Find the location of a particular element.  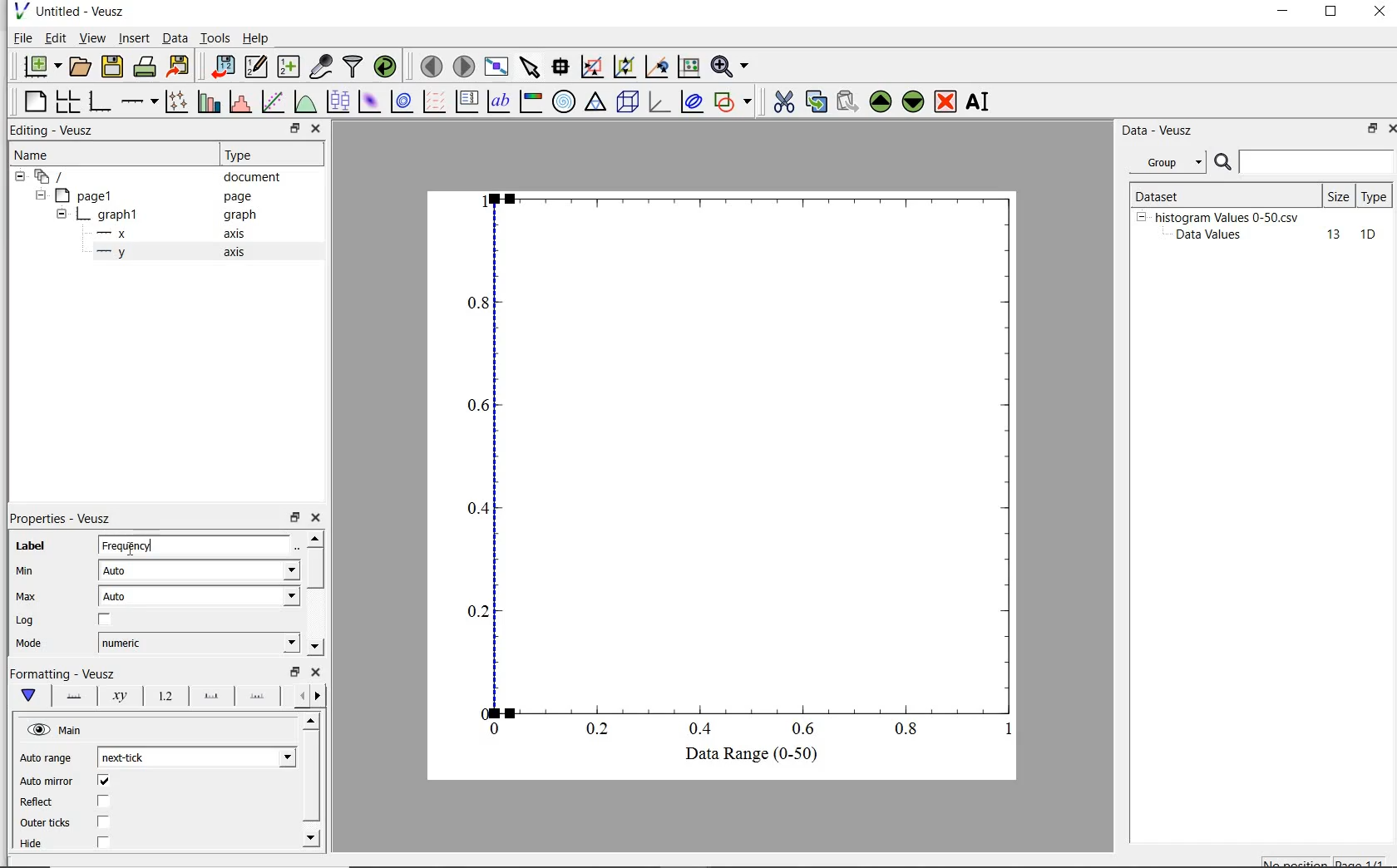

x- axis is located at coordinates (115, 235).